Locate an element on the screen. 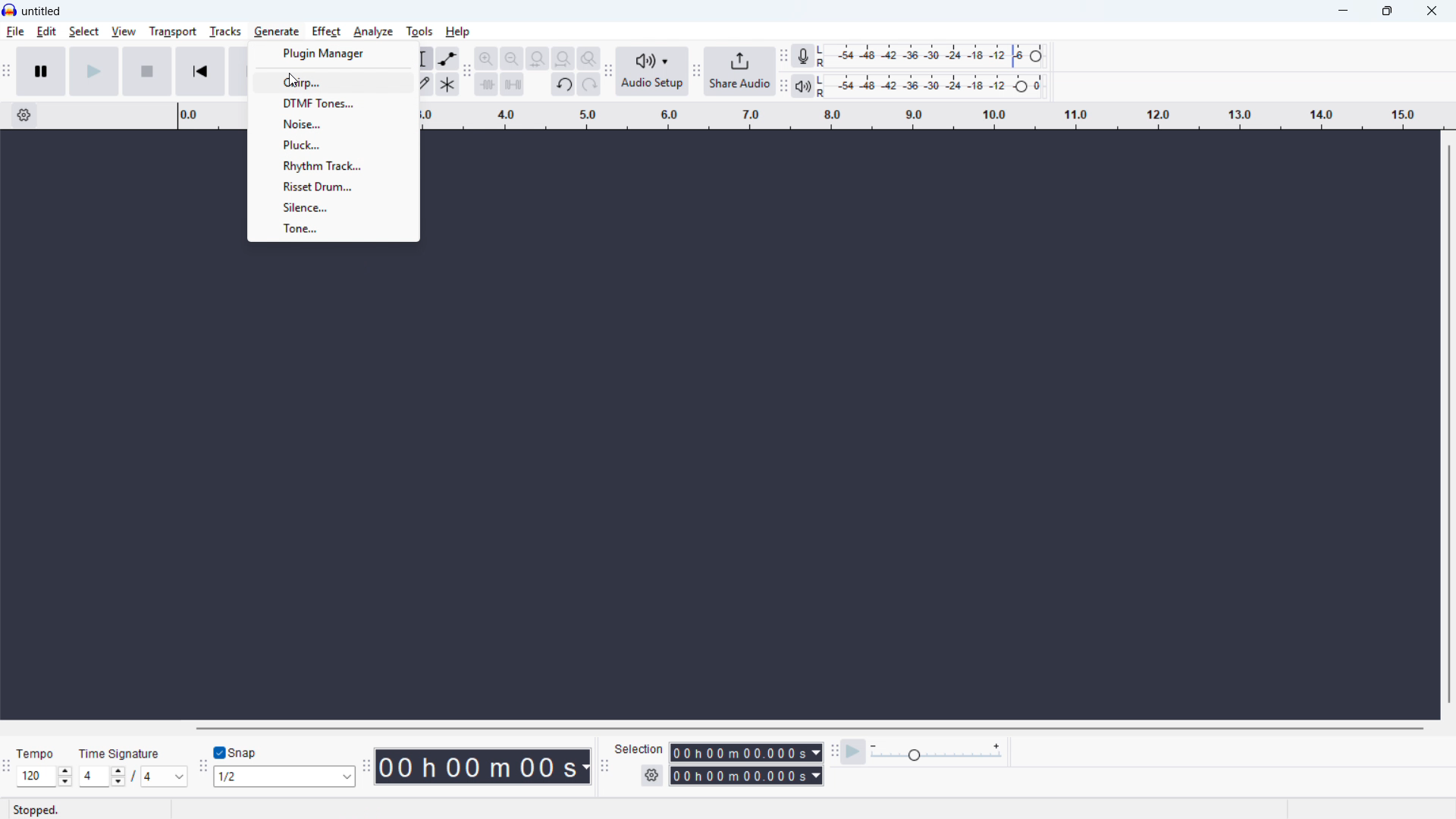 The width and height of the screenshot is (1456, 819). Share audio toolbar  is located at coordinates (697, 71).